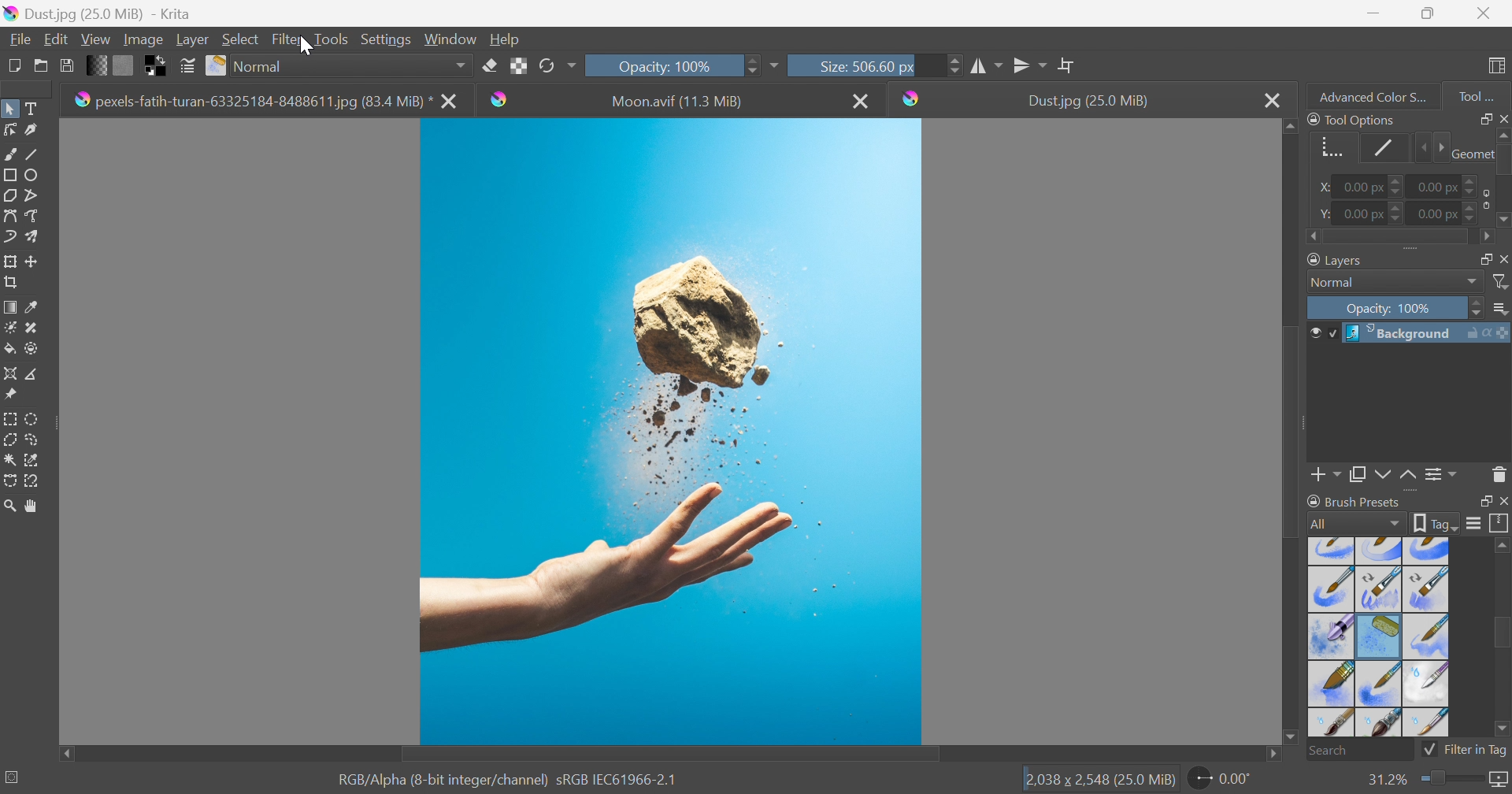  What do you see at coordinates (1503, 117) in the screenshot?
I see `Close` at bounding box center [1503, 117].